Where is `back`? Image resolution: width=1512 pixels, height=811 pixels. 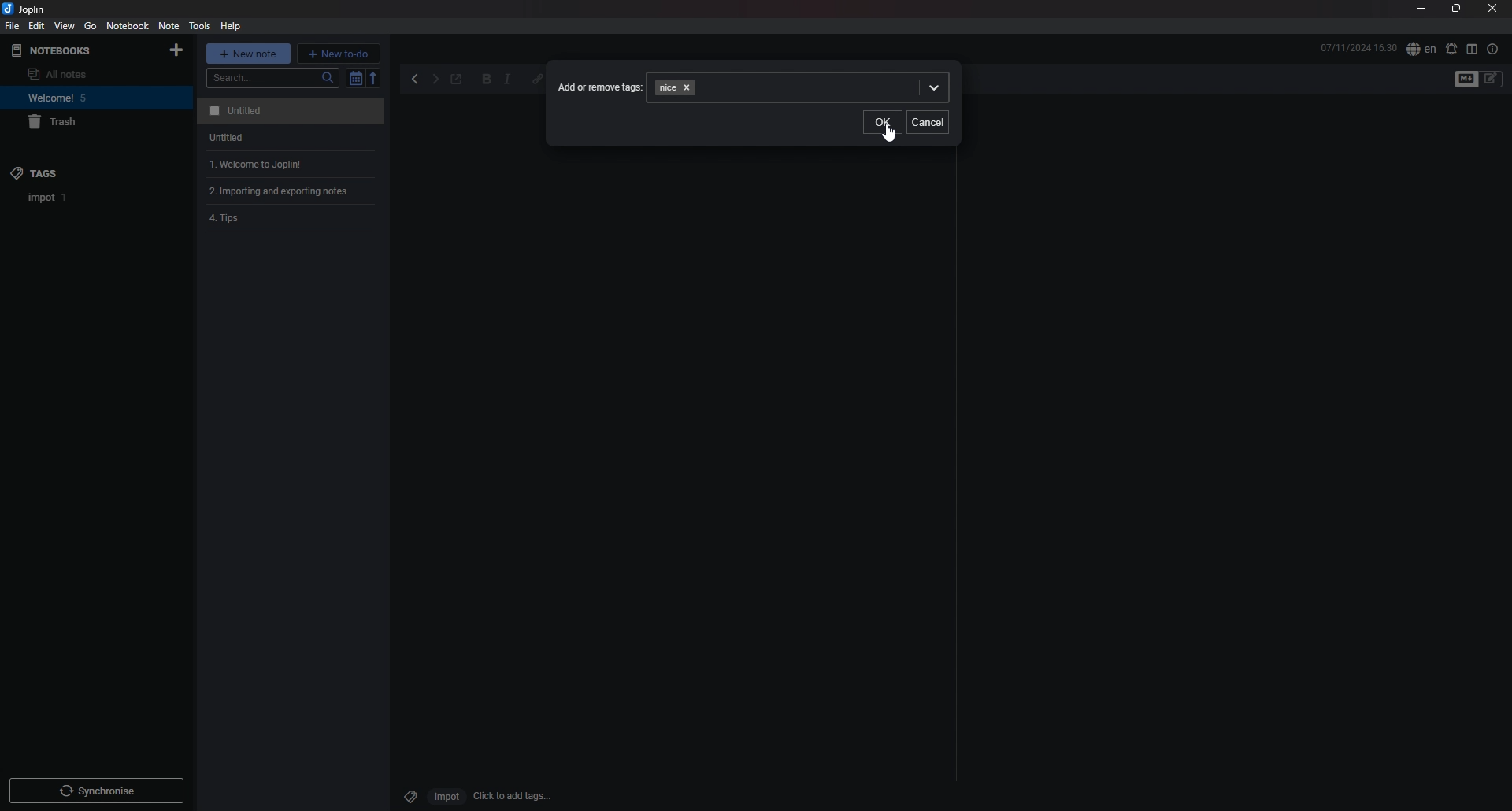
back is located at coordinates (417, 80).